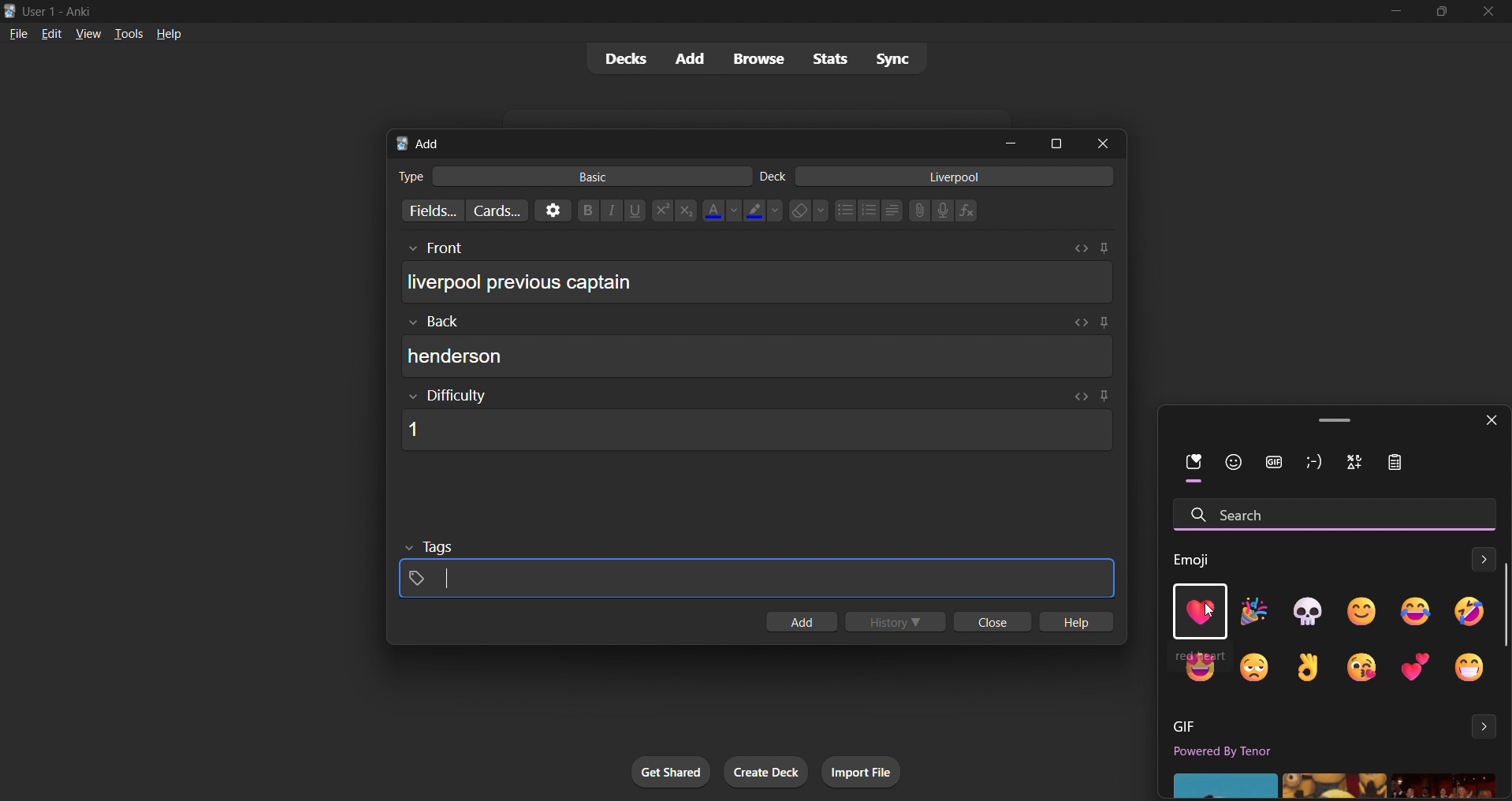 Image resolution: width=1512 pixels, height=801 pixels. I want to click on emoji, so click(1473, 668).